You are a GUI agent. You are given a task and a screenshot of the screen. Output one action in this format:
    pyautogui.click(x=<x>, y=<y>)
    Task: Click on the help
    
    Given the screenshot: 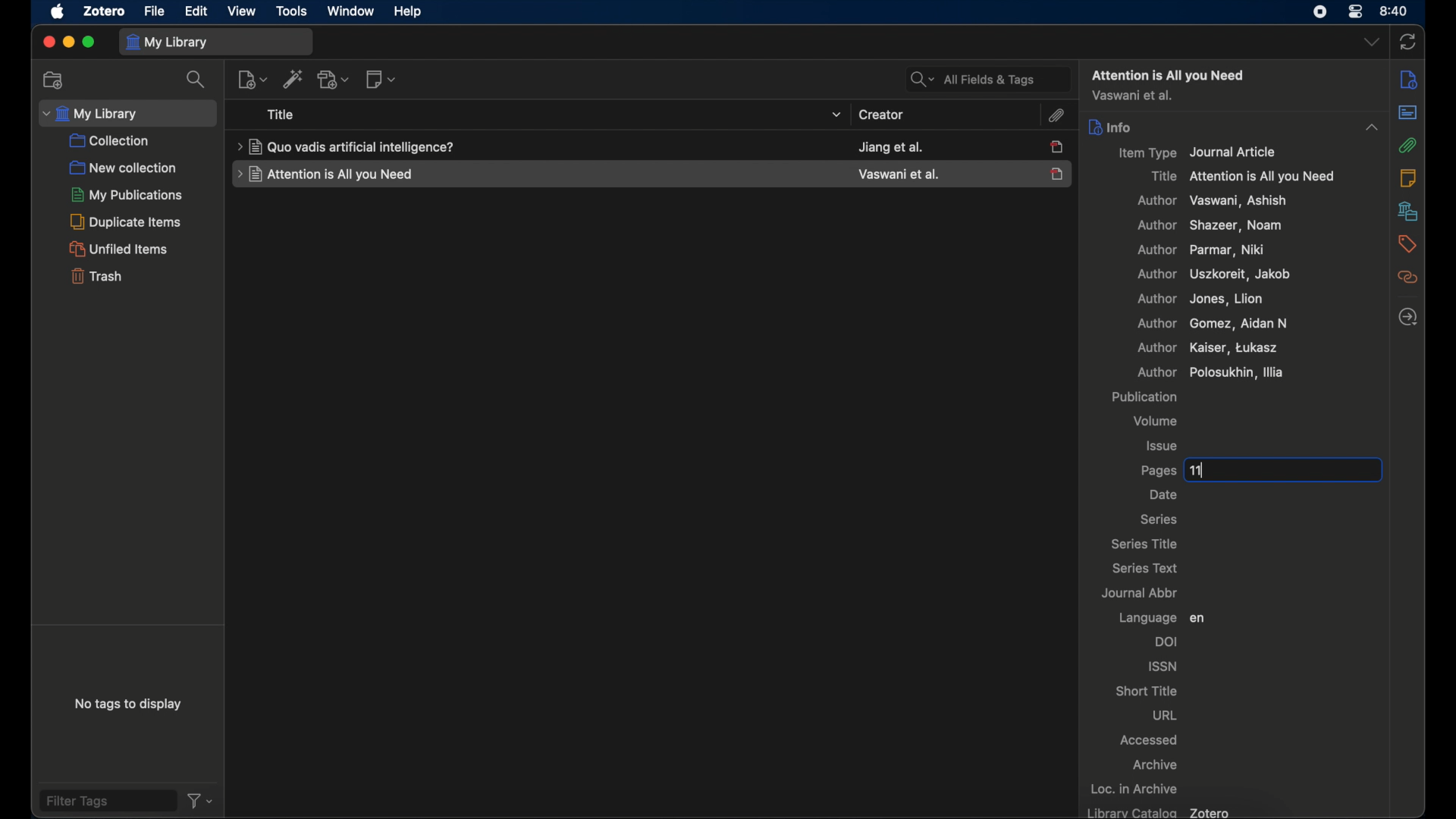 What is the action you would take?
    pyautogui.click(x=409, y=12)
    